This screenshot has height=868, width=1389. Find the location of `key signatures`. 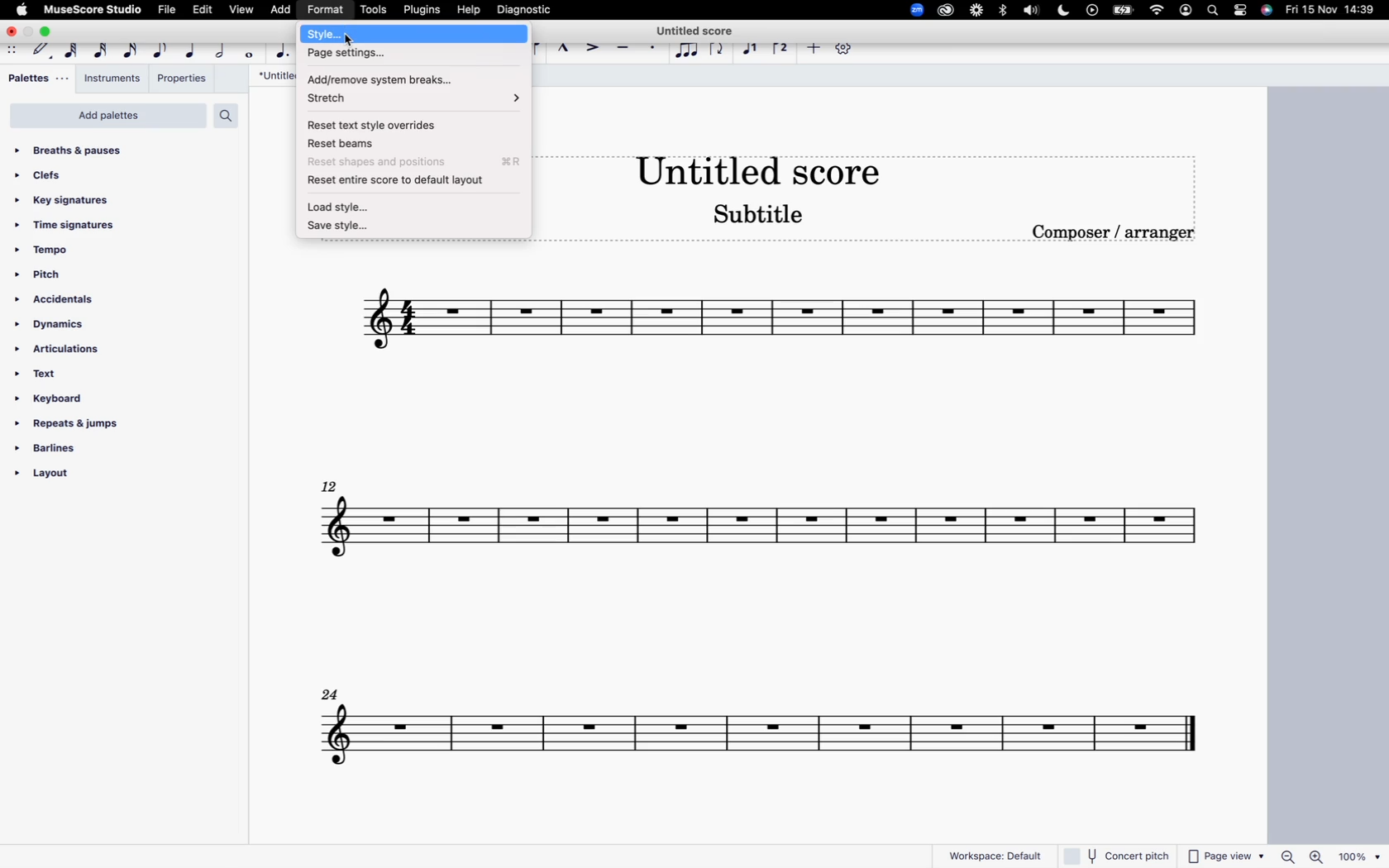

key signatures is located at coordinates (64, 199).